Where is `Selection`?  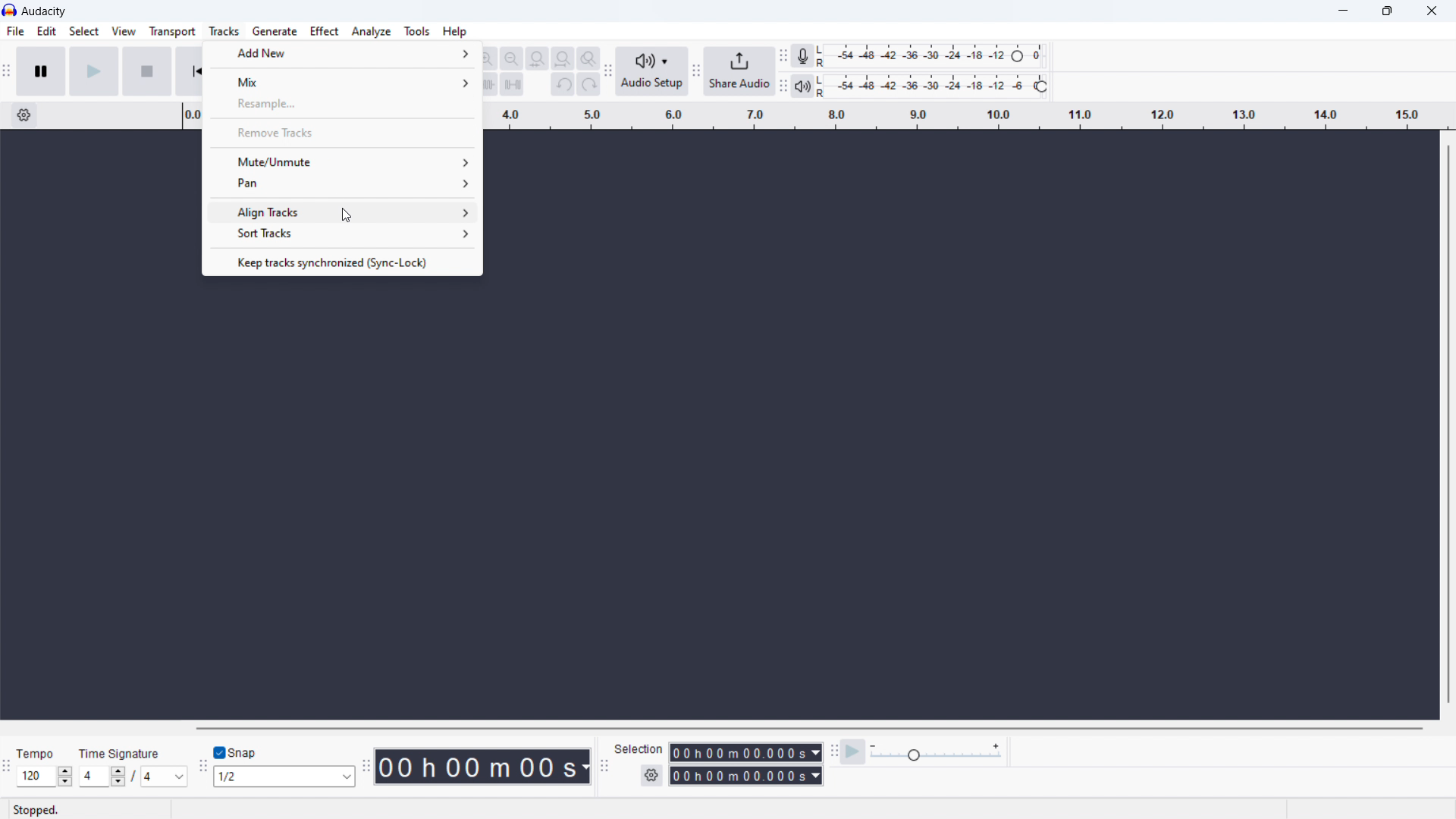
Selection is located at coordinates (639, 748).